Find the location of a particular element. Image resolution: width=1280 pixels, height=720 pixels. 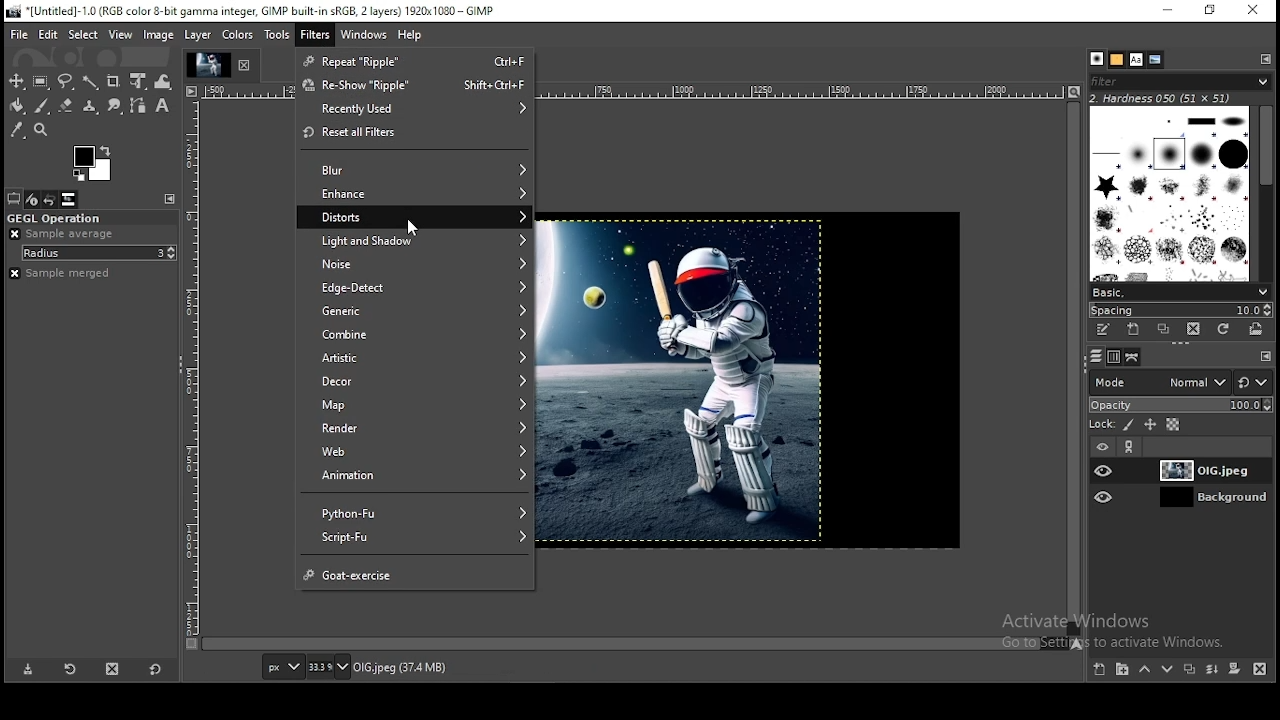

configure this tab is located at coordinates (170, 199).